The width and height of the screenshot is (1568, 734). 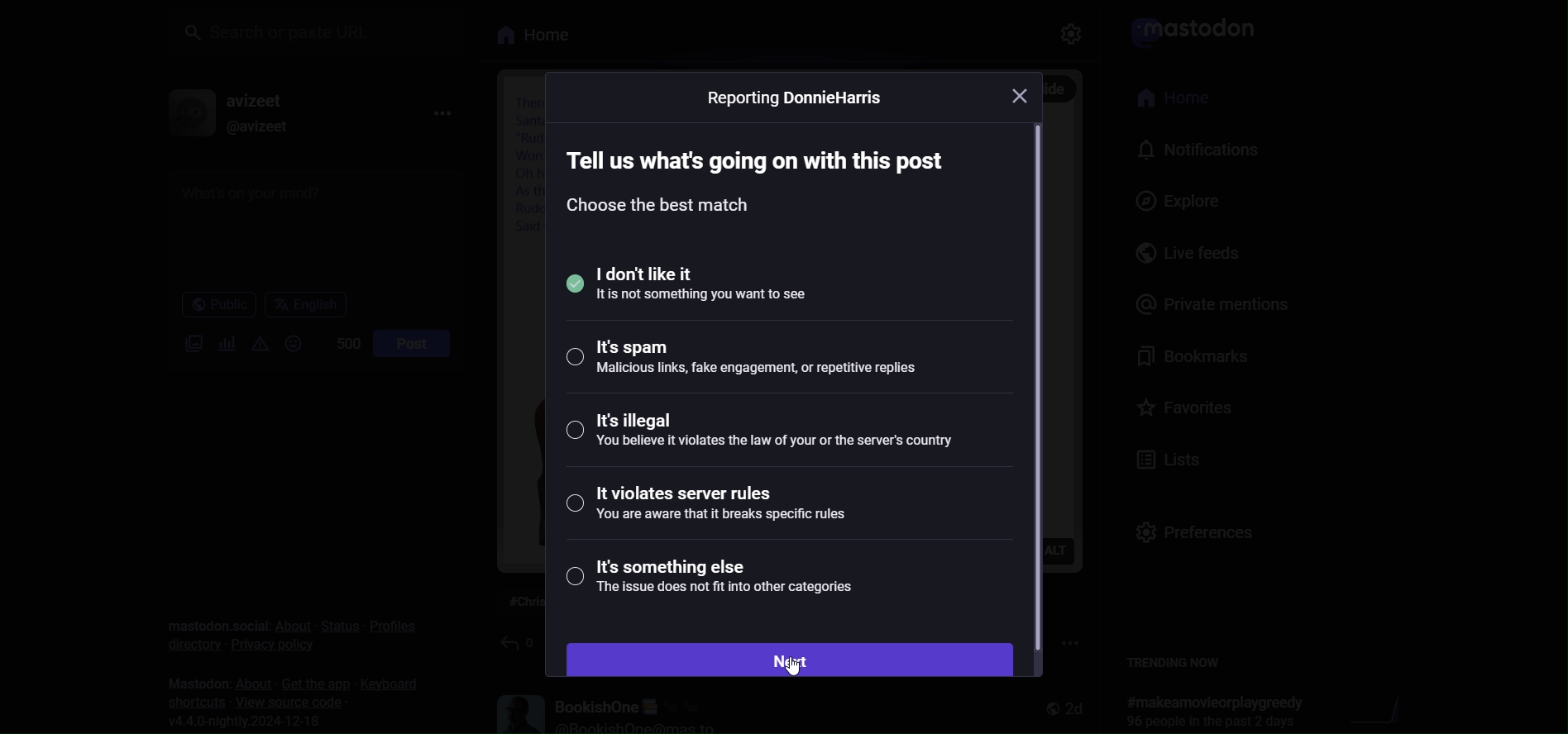 I want to click on close, so click(x=1026, y=94).